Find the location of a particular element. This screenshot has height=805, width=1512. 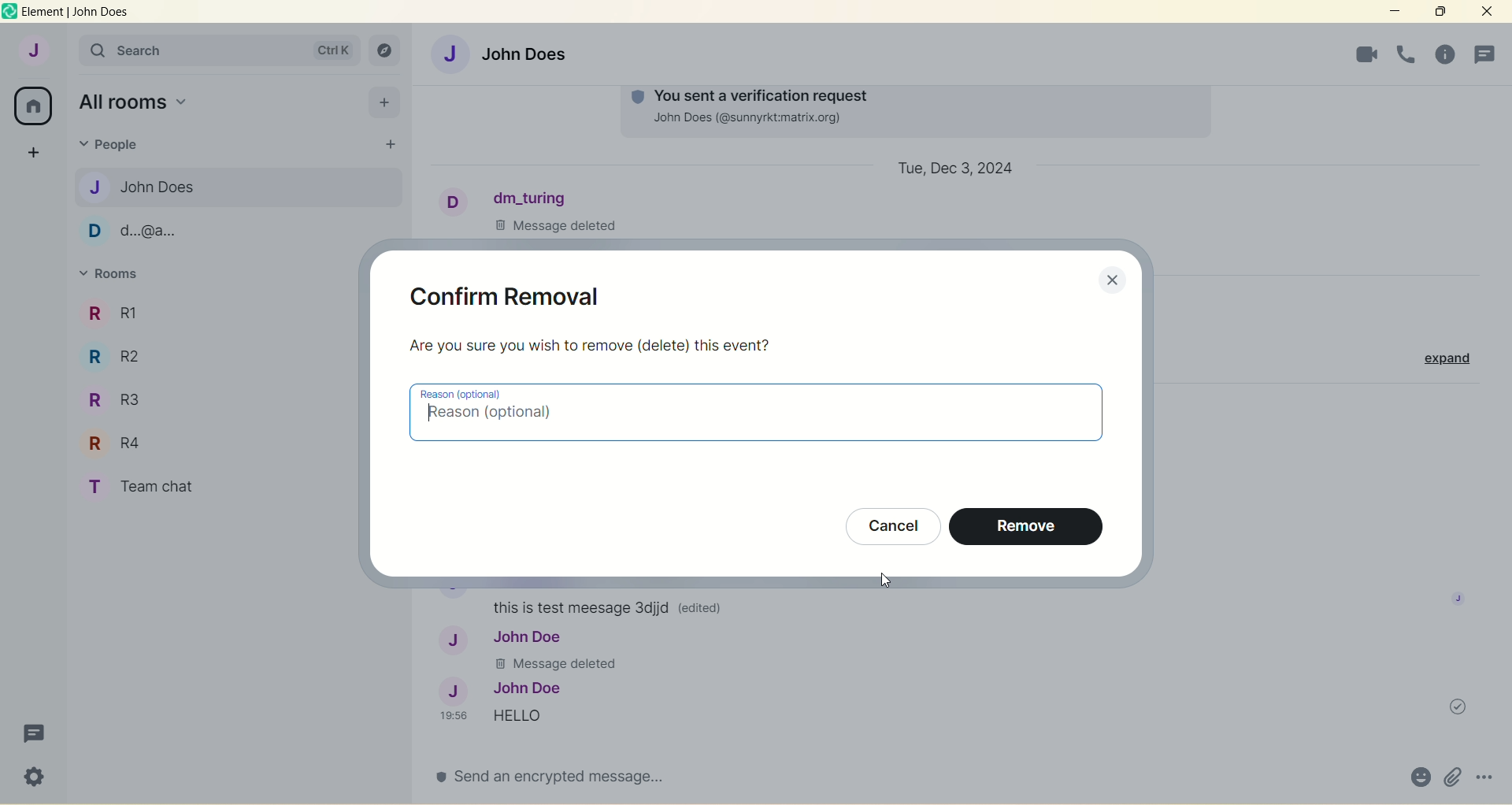

element is located at coordinates (76, 13).